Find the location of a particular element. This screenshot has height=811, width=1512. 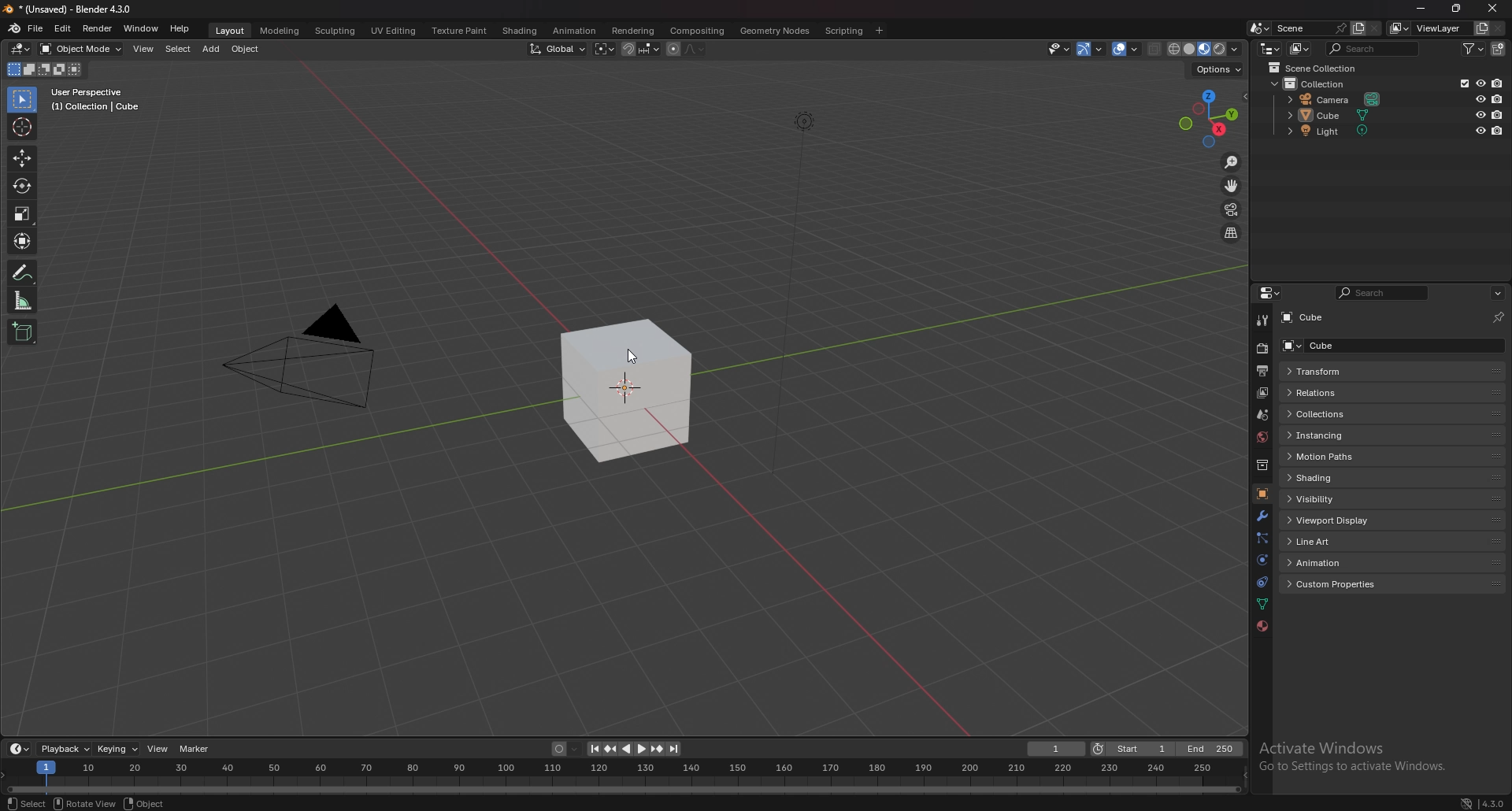

selector is located at coordinates (22, 99).